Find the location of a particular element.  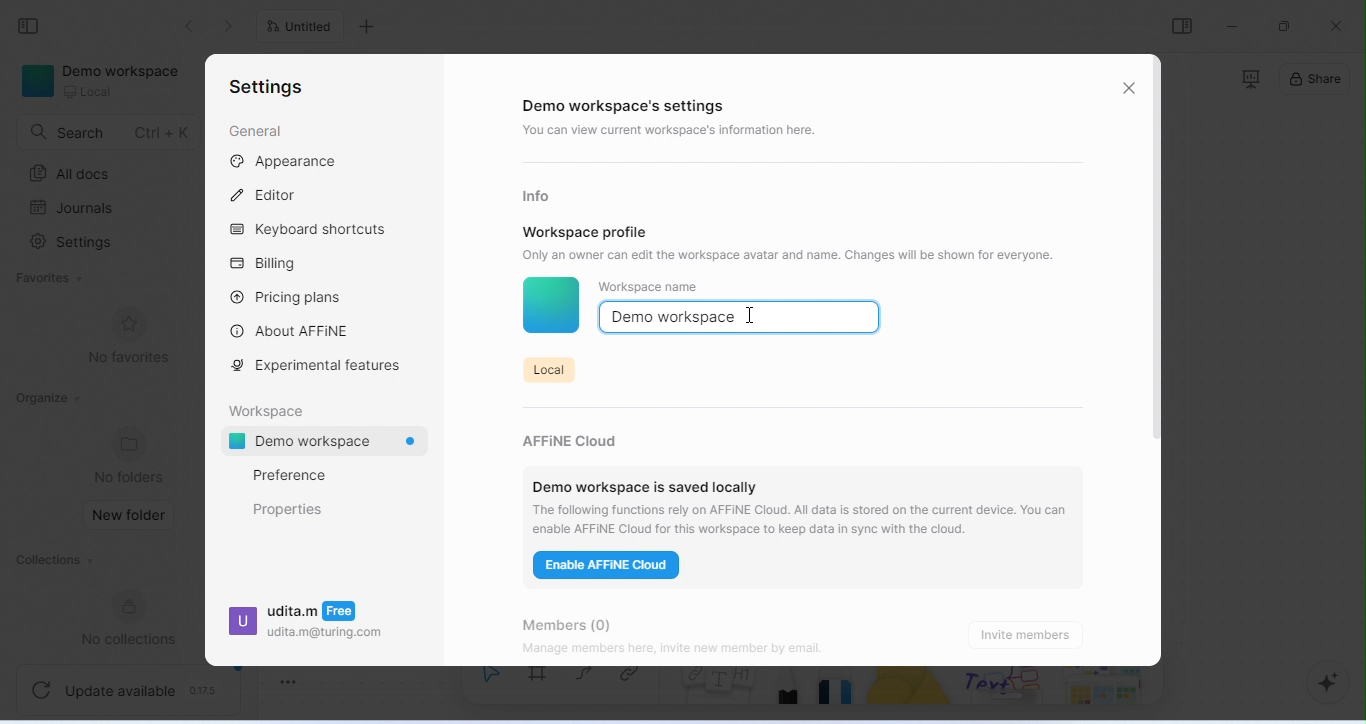

no folders is located at coordinates (132, 455).